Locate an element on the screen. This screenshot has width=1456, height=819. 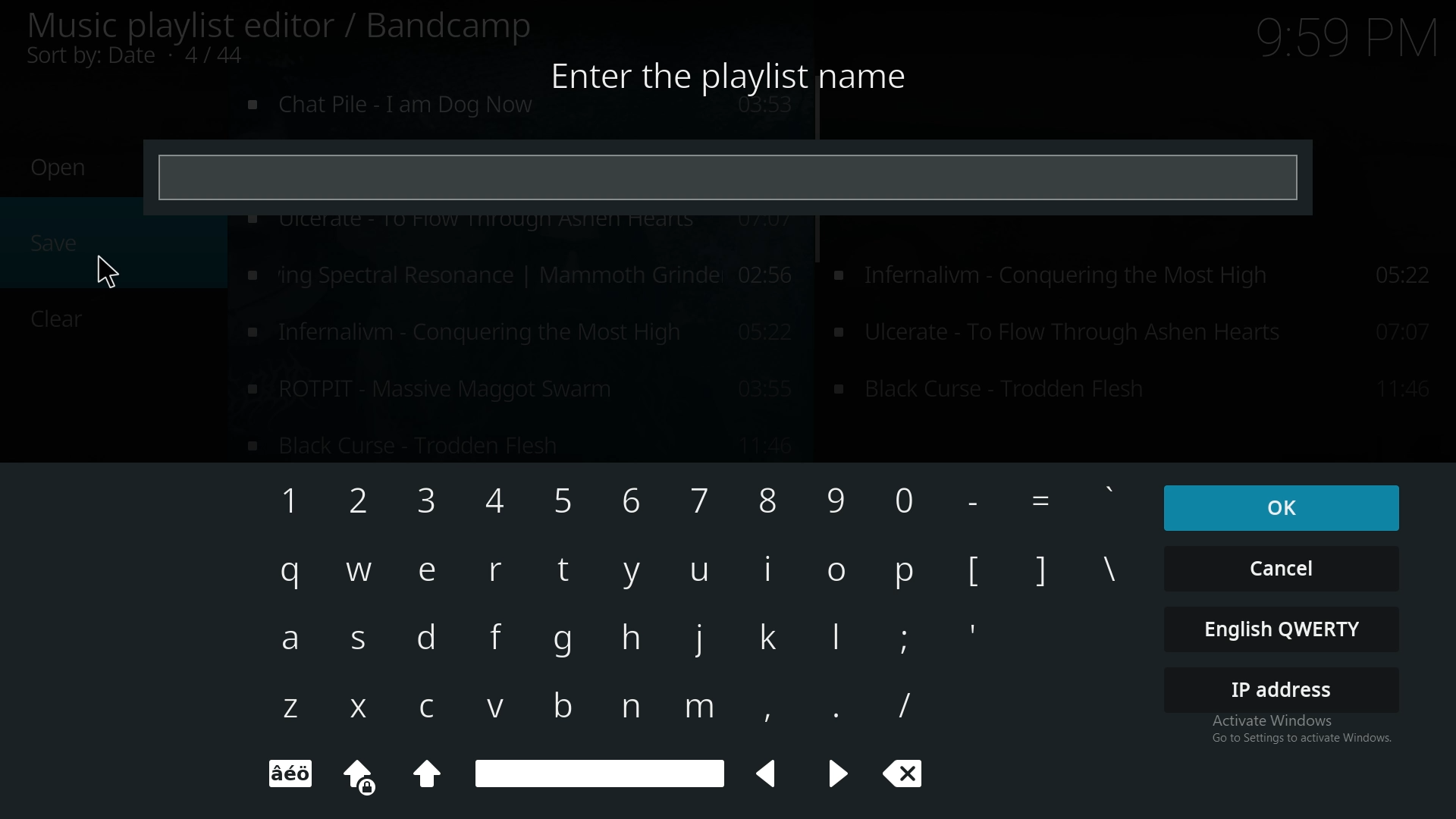
Infernalivm - Conquering the Most High 05:22 is located at coordinates (1137, 334).